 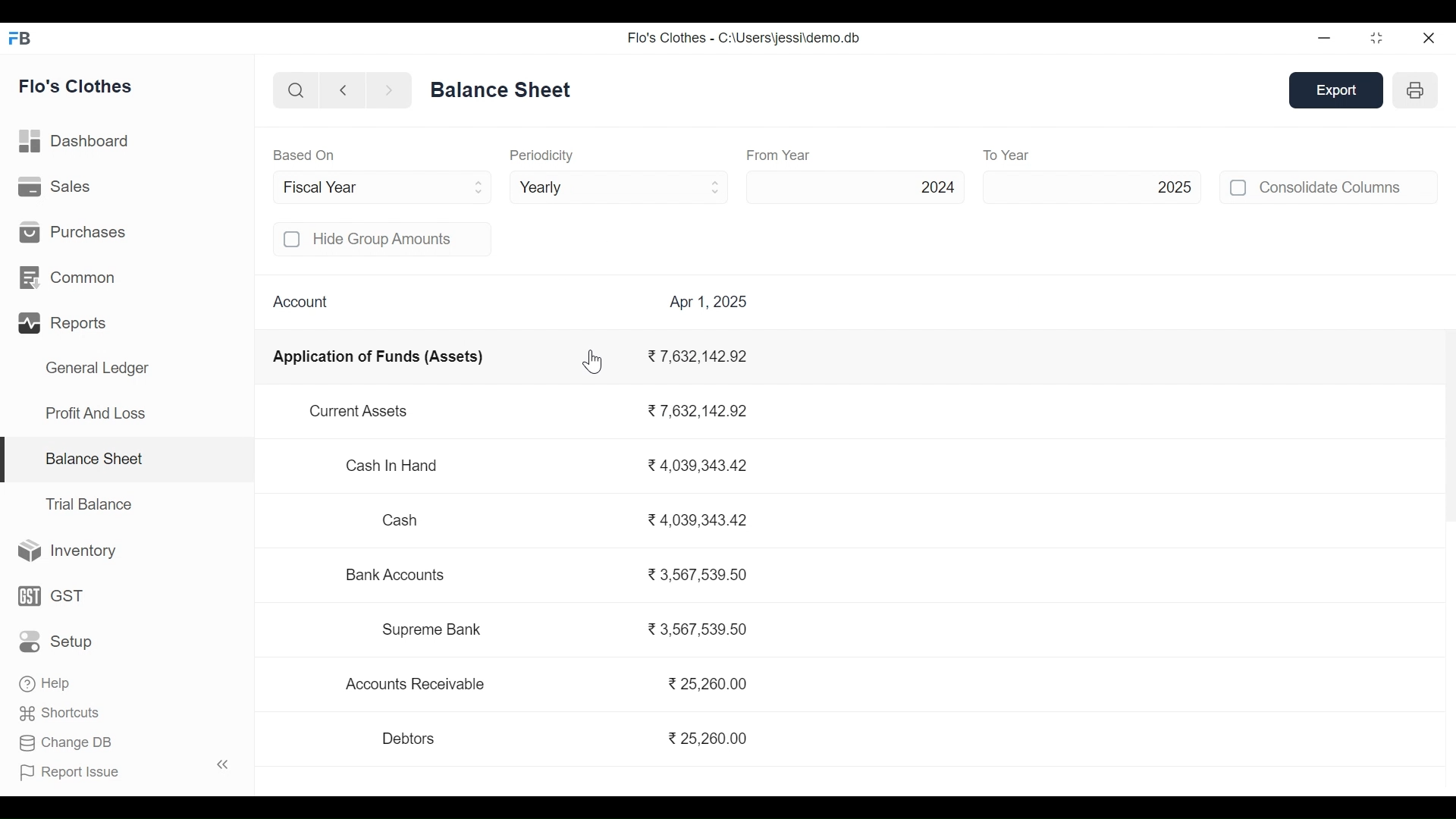 I want to click on Consolidate Columns, so click(x=1348, y=187).